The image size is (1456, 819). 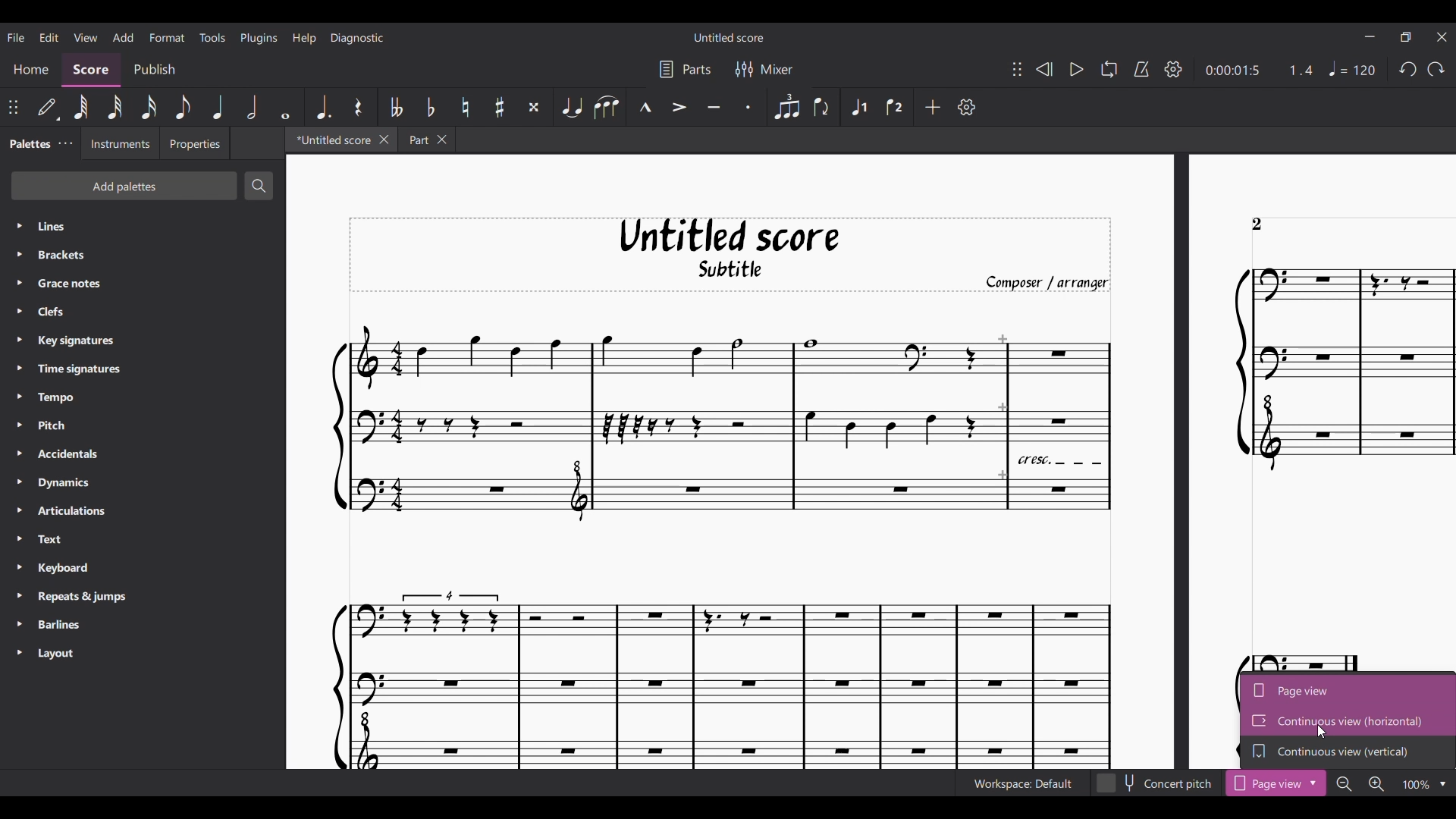 I want to click on Customize toolbar, so click(x=967, y=107).